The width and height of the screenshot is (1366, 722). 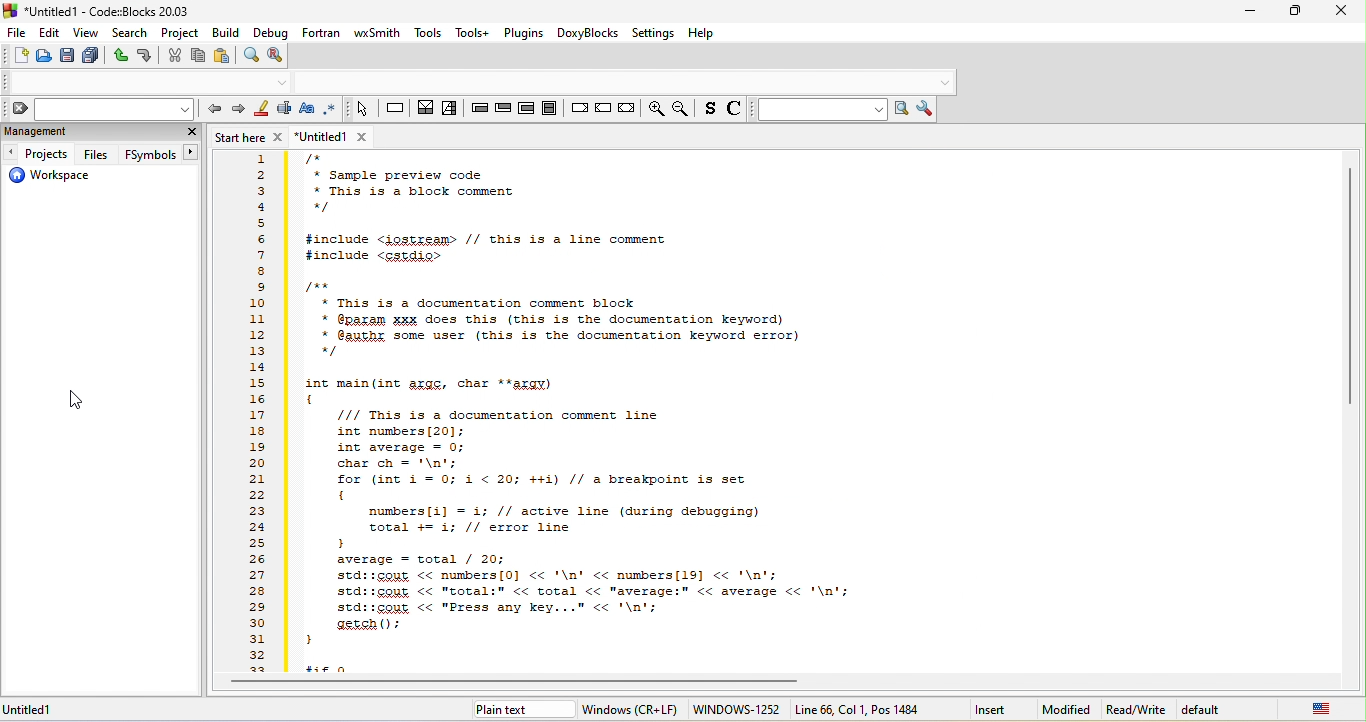 I want to click on close, so click(x=1343, y=11).